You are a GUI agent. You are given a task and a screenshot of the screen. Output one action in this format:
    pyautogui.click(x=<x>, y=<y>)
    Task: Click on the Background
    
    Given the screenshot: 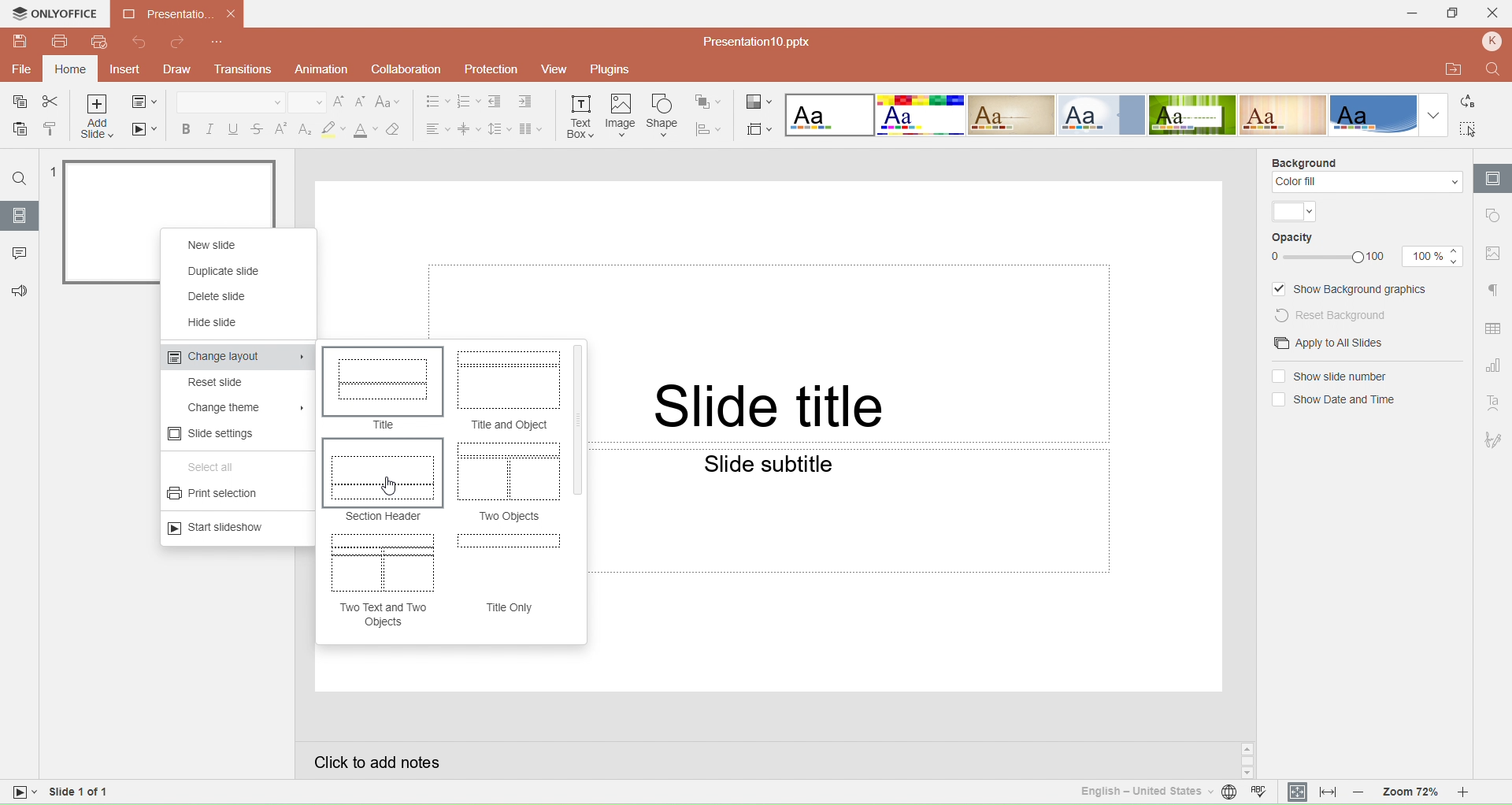 What is the action you would take?
    pyautogui.click(x=1304, y=161)
    